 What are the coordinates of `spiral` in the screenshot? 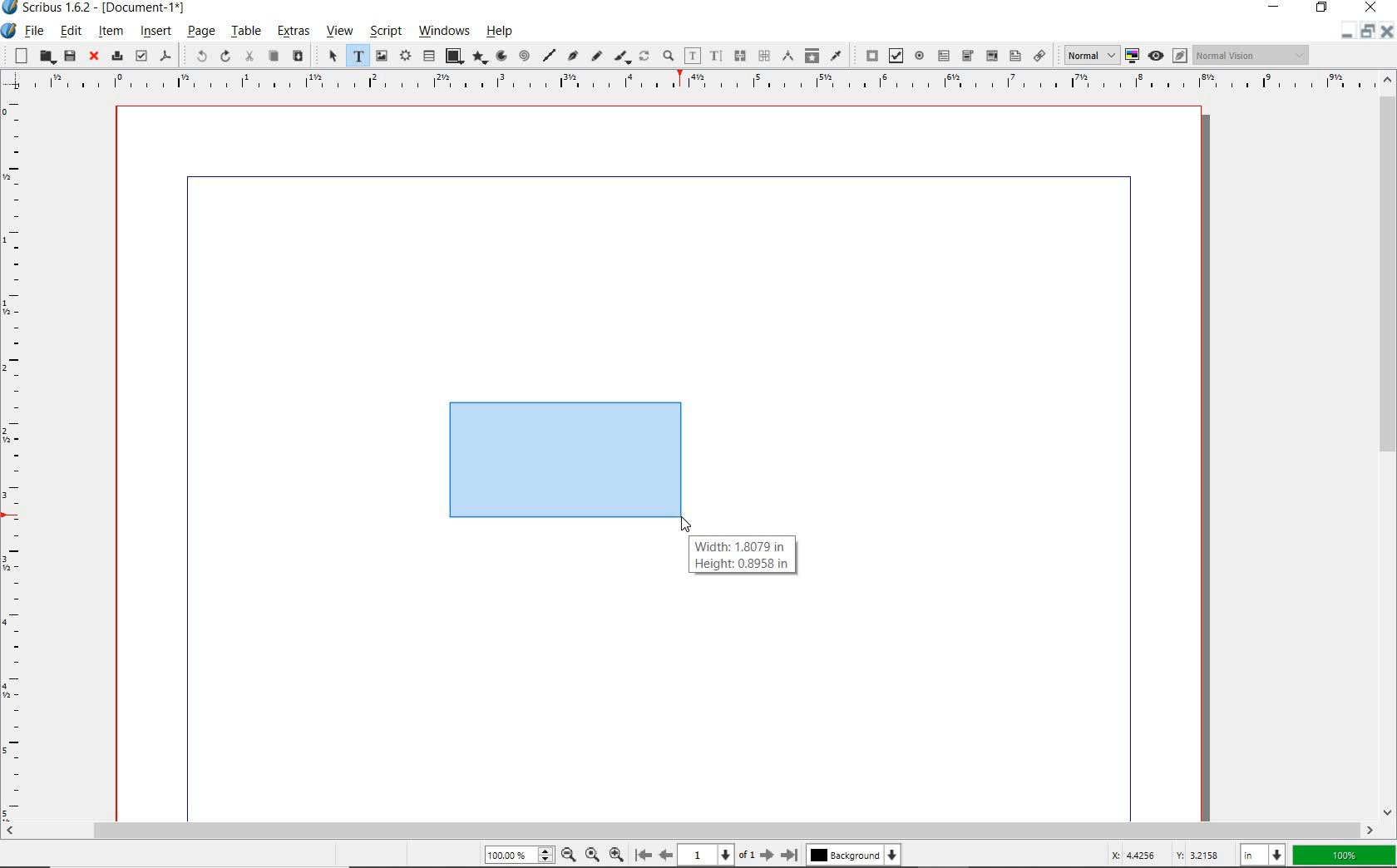 It's located at (525, 55).